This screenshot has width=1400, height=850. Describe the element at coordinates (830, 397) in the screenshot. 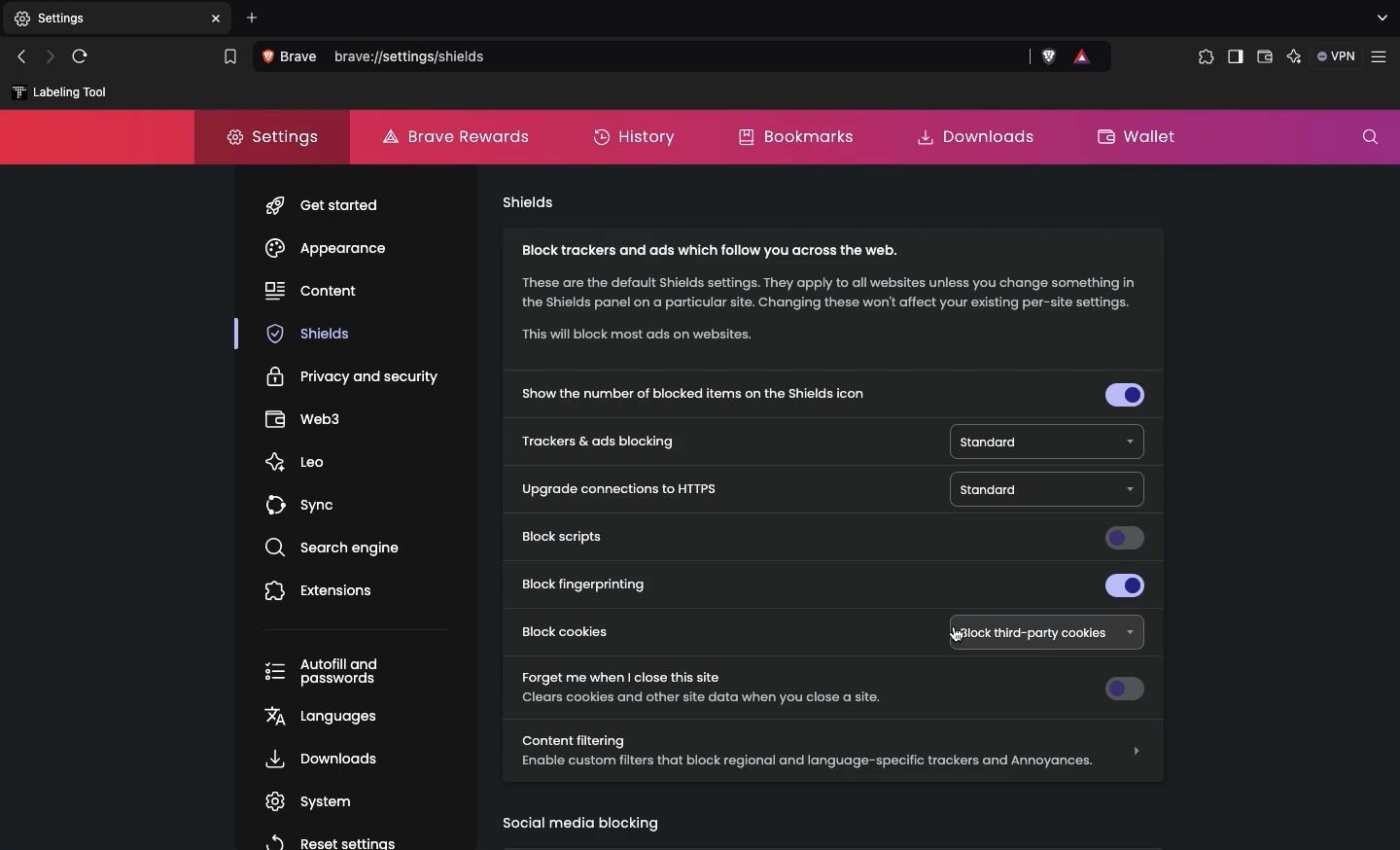

I see `Show the number of blocked items on the shields icon` at that location.